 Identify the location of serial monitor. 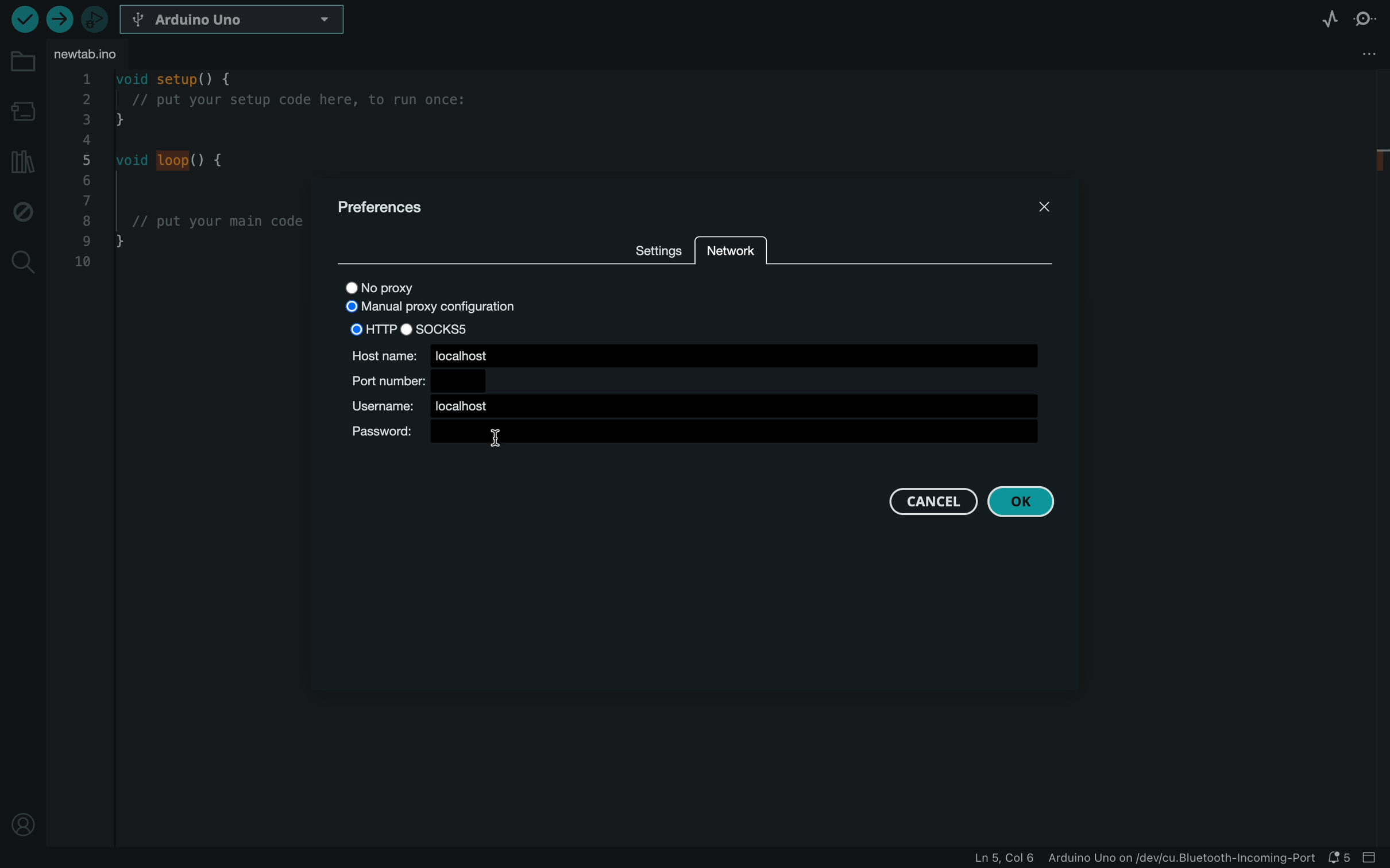
(1365, 18).